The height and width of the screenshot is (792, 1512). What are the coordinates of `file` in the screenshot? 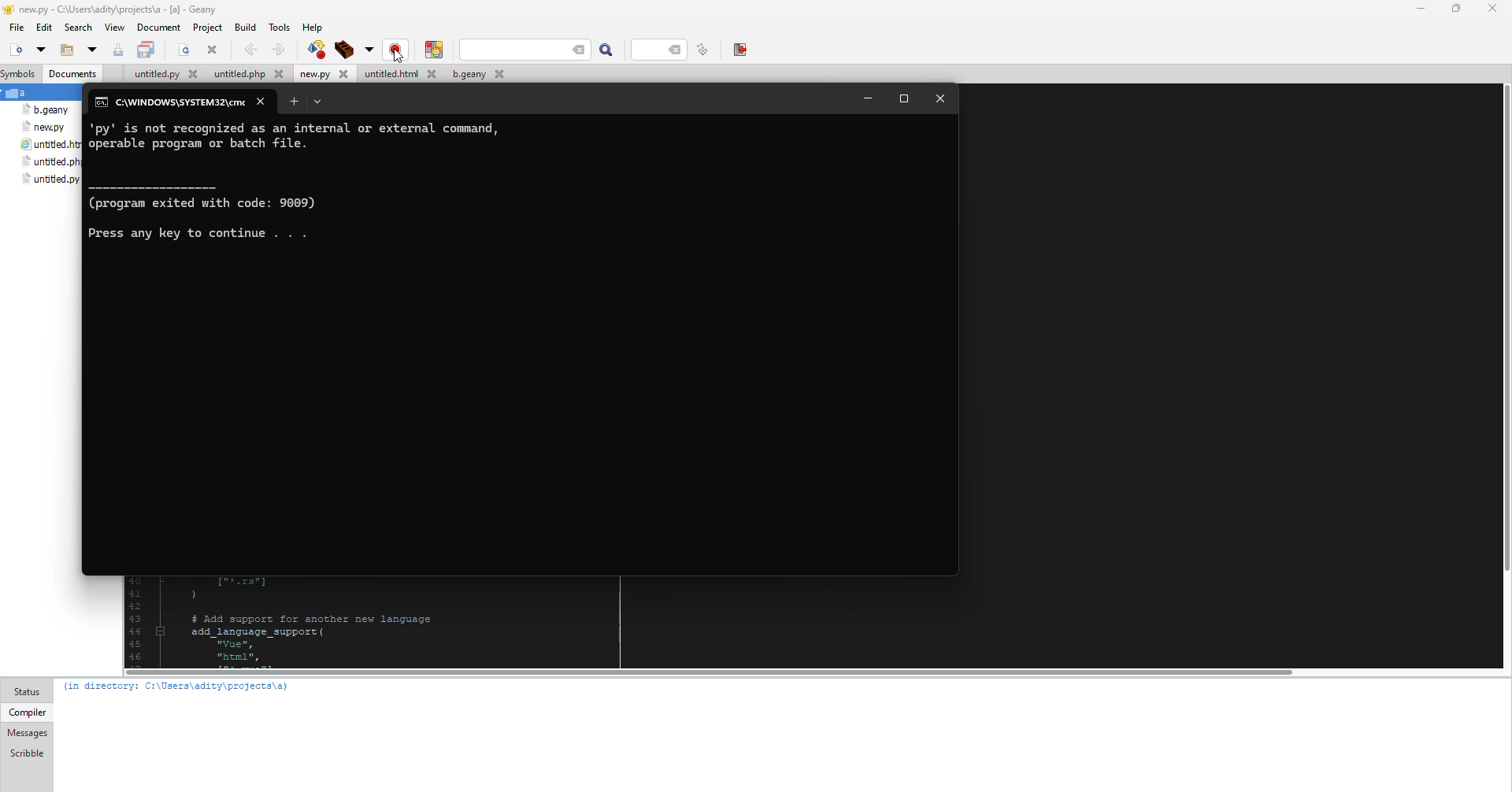 It's located at (48, 161).